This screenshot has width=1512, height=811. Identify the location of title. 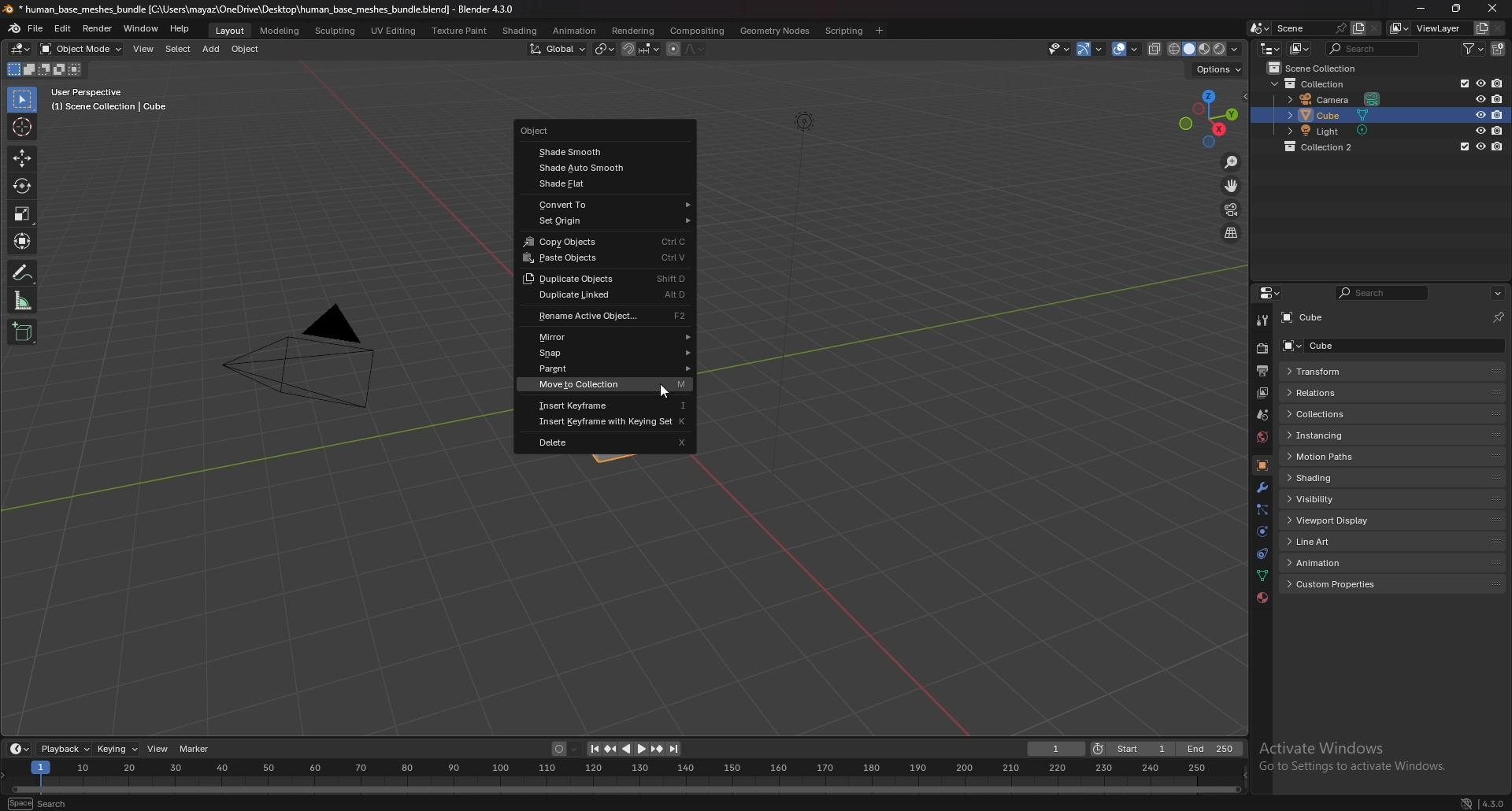
(261, 9).